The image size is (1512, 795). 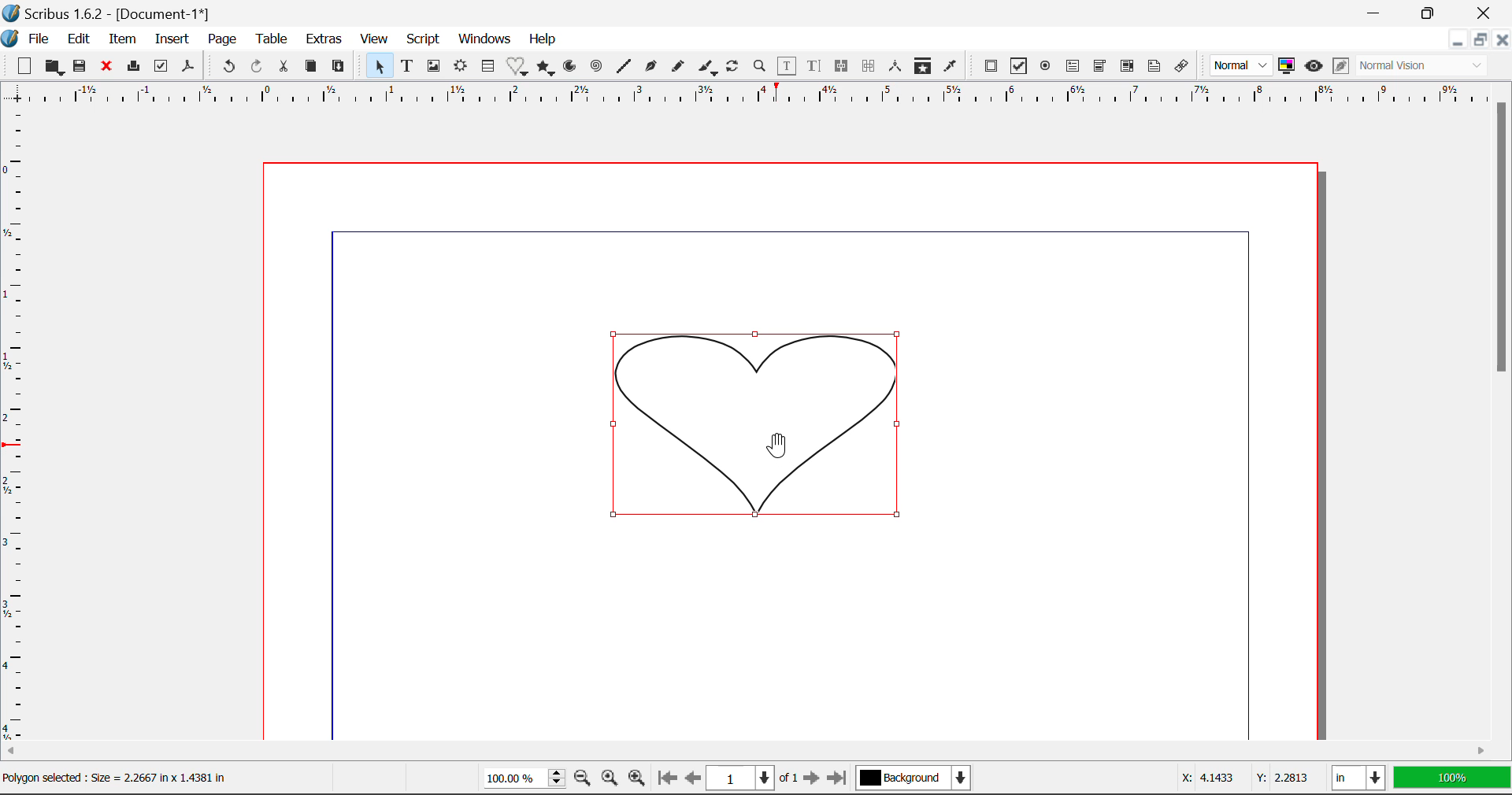 I want to click on Delink Text Frames, so click(x=870, y=66).